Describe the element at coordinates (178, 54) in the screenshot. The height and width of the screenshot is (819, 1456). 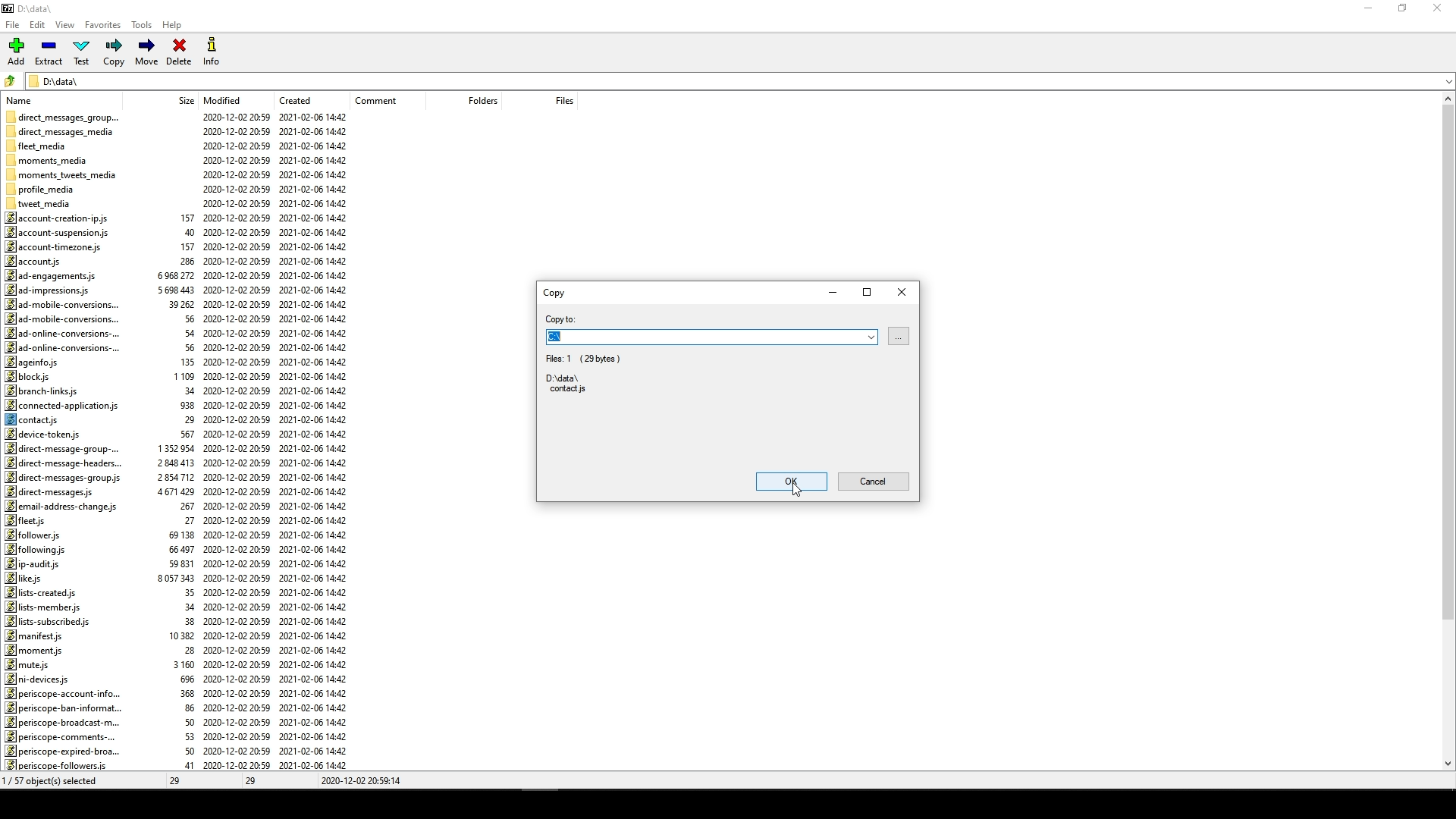
I see `Delete` at that location.